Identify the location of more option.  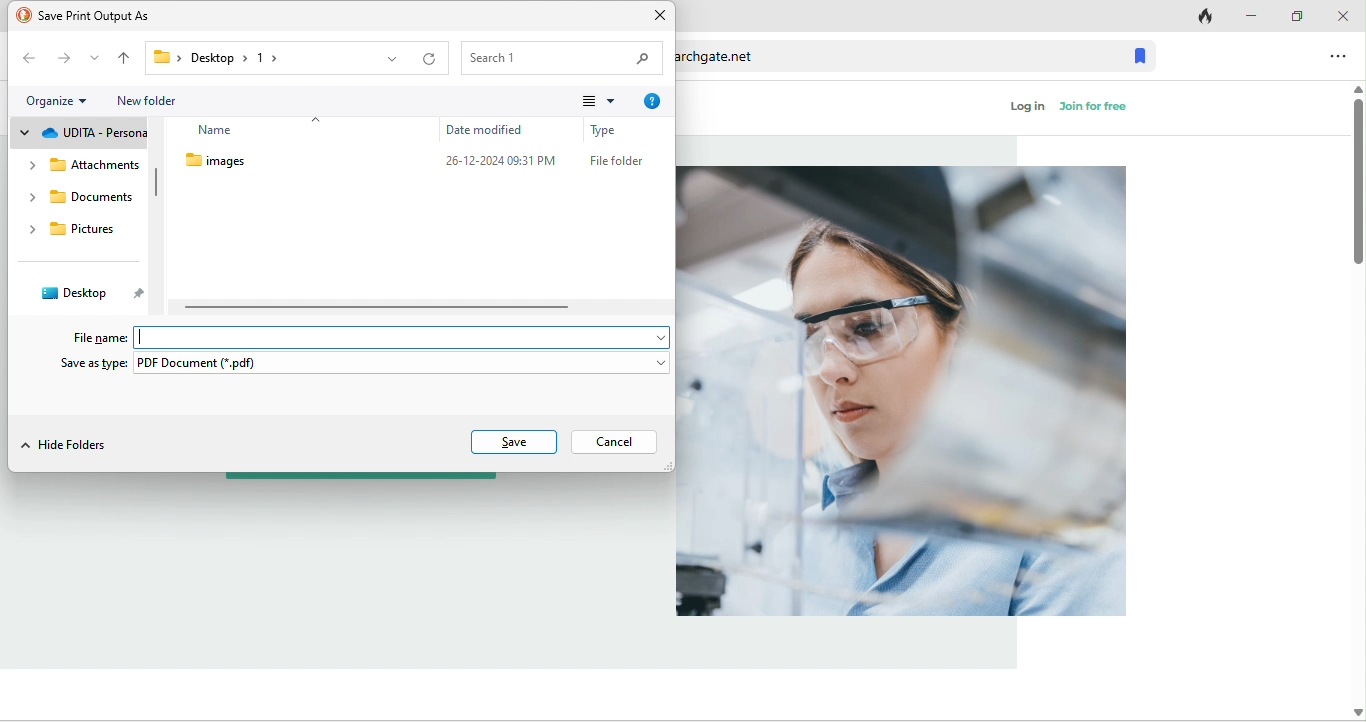
(598, 101).